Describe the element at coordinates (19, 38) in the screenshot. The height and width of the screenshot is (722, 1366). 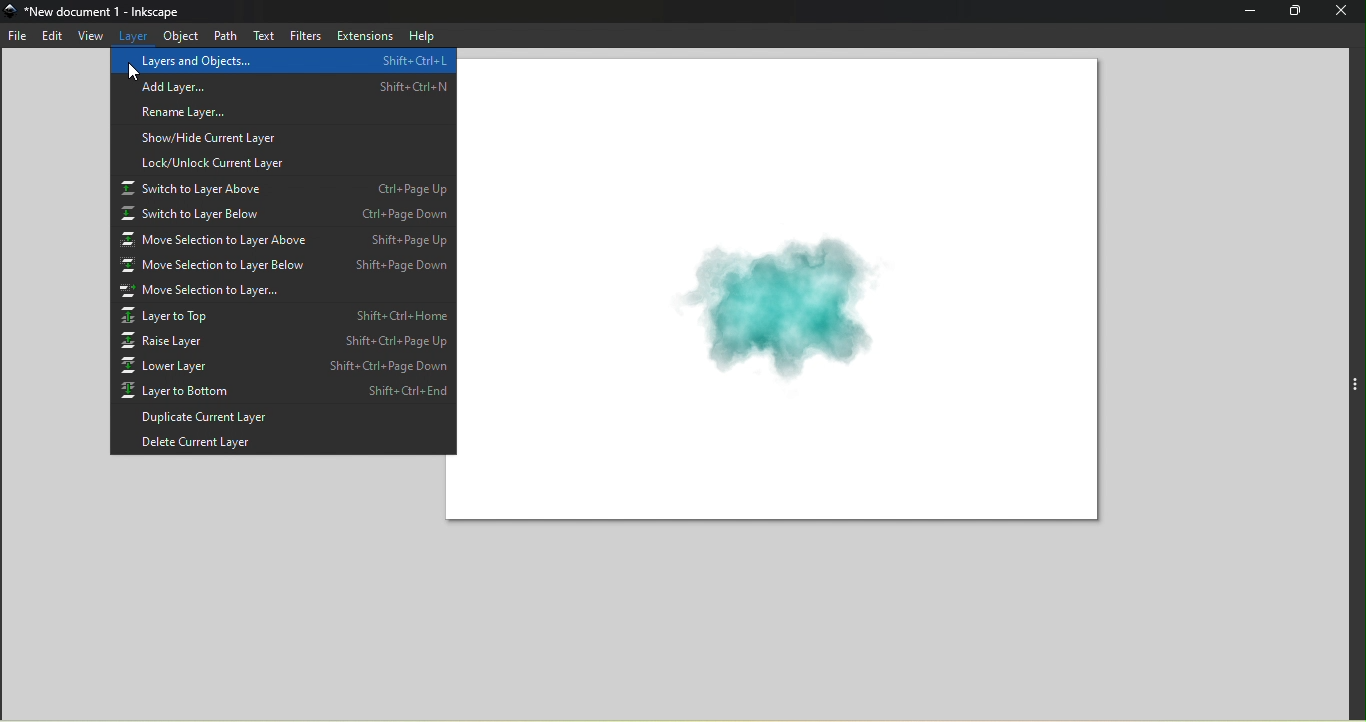
I see `File` at that location.